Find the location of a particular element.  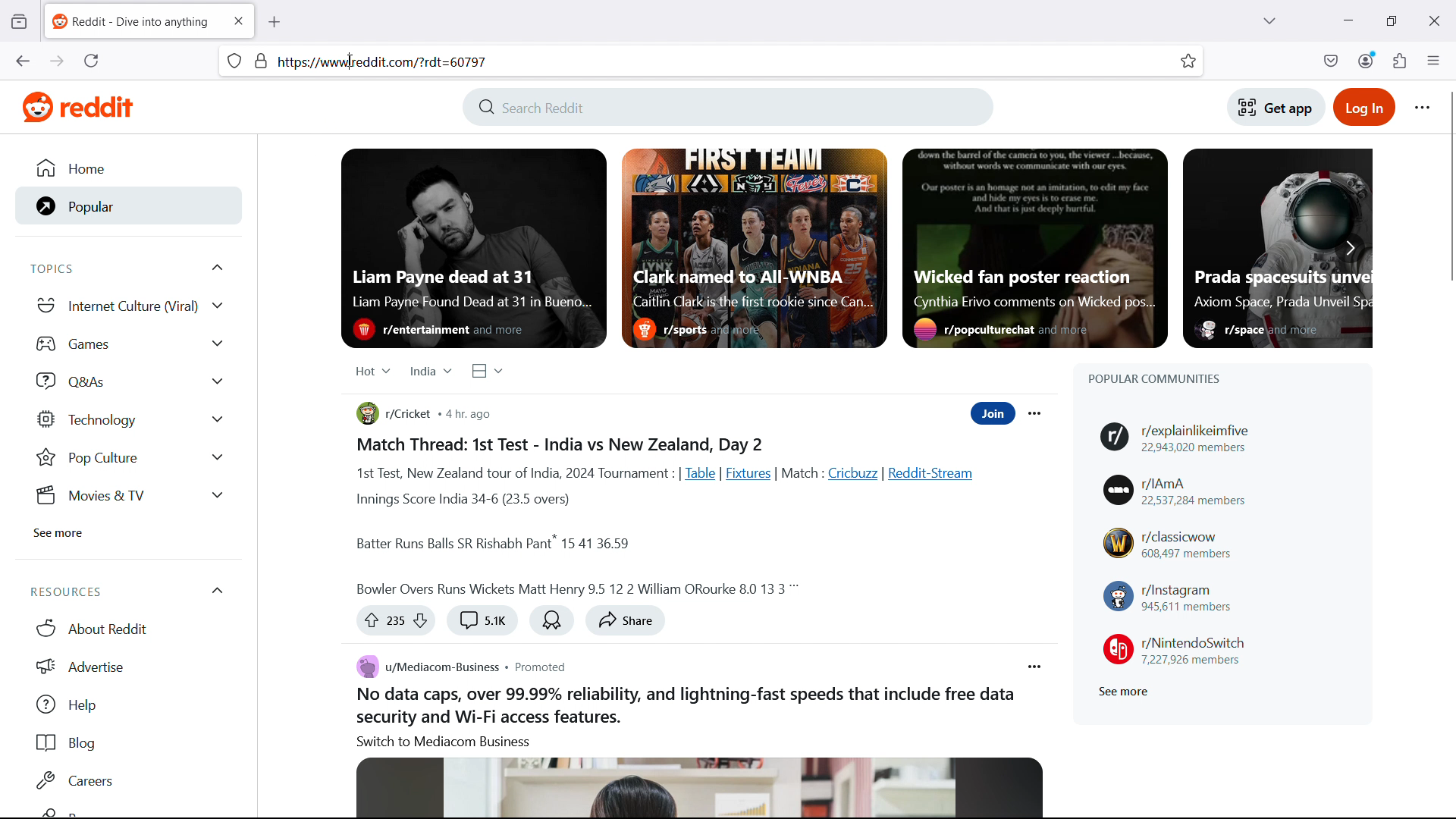

Login to reddit is located at coordinates (1367, 106).